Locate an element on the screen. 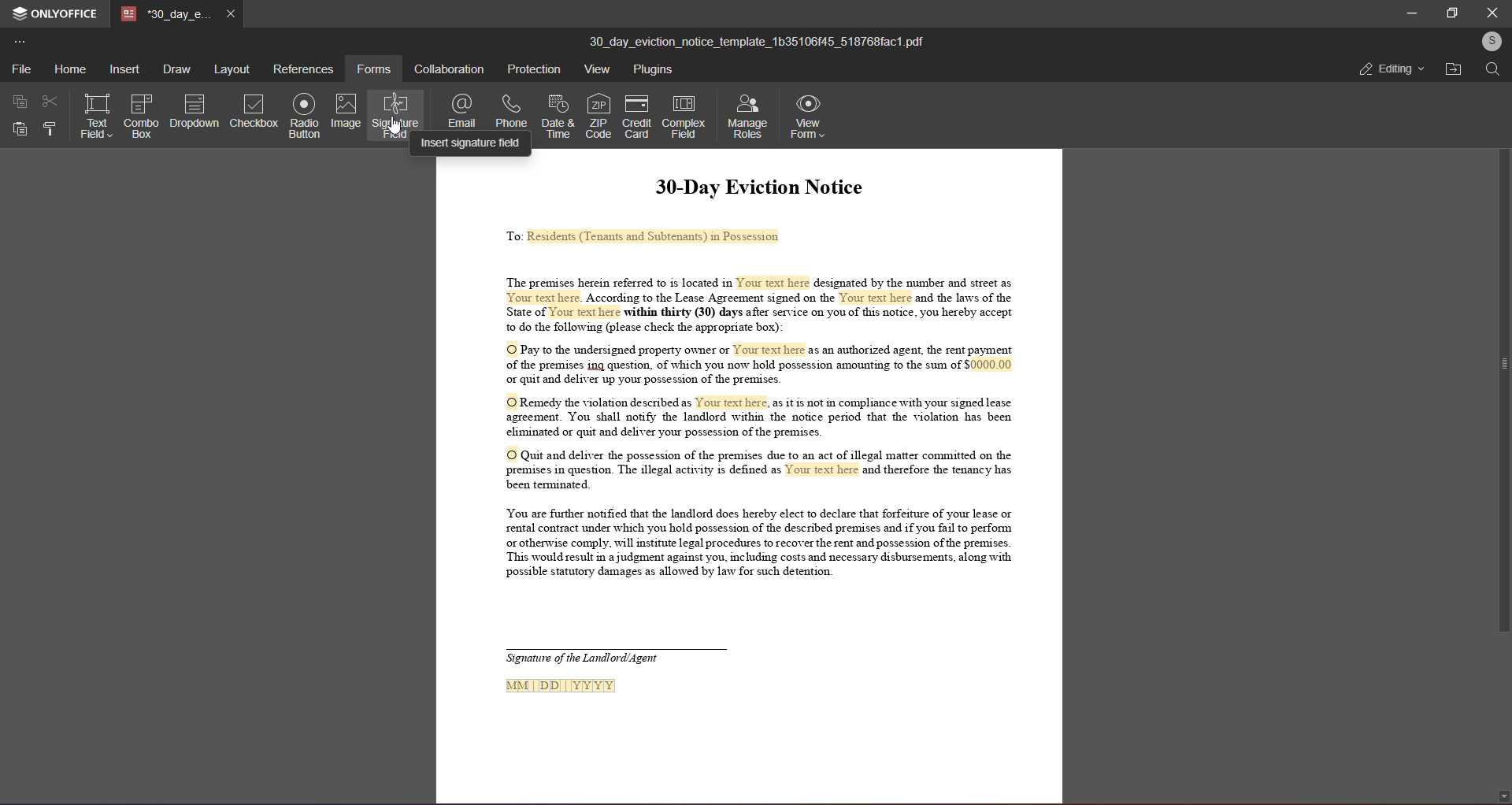 The image size is (1512, 805). onlyoffice application logo and name is located at coordinates (54, 13).